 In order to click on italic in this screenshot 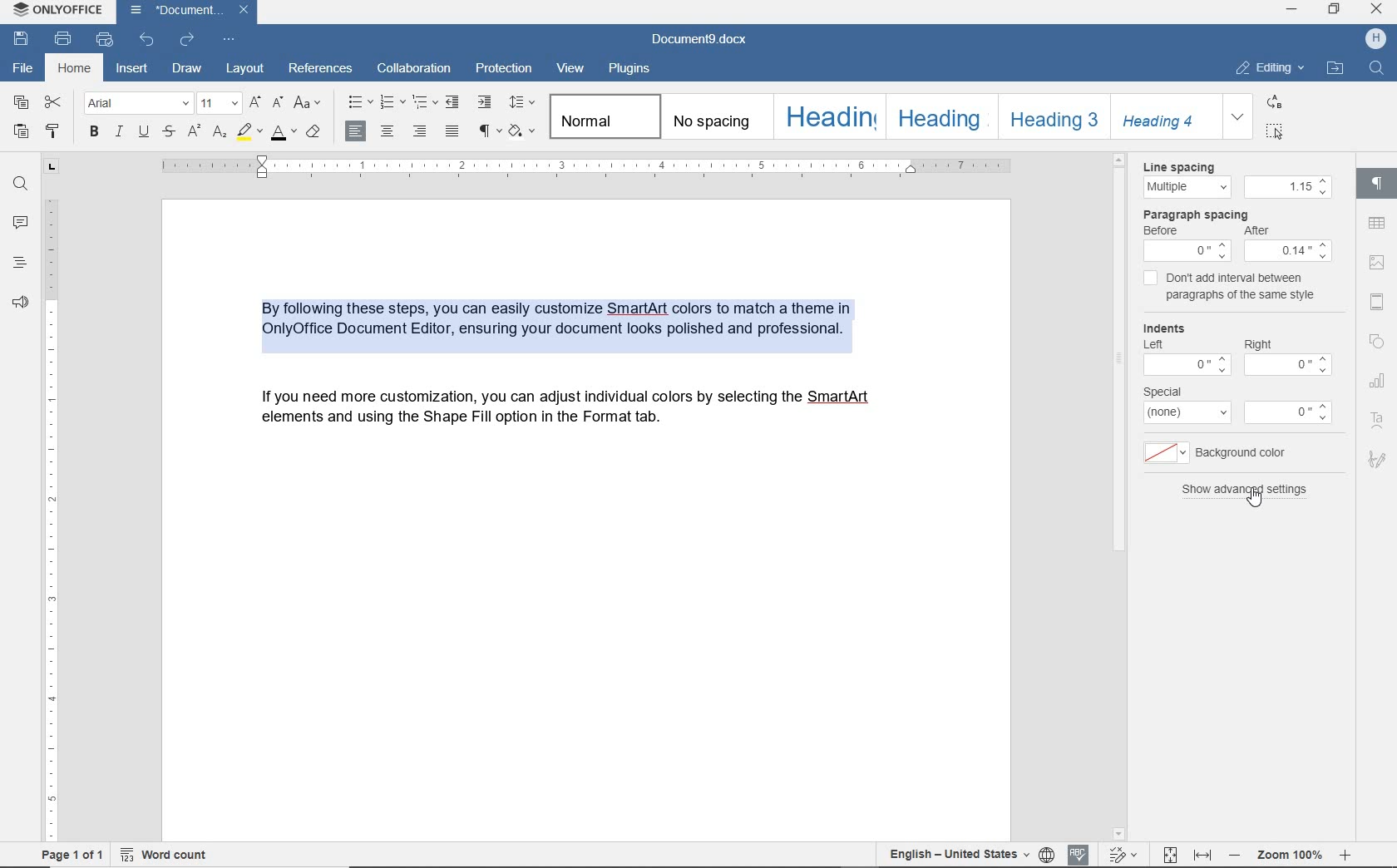, I will do `click(119, 132)`.